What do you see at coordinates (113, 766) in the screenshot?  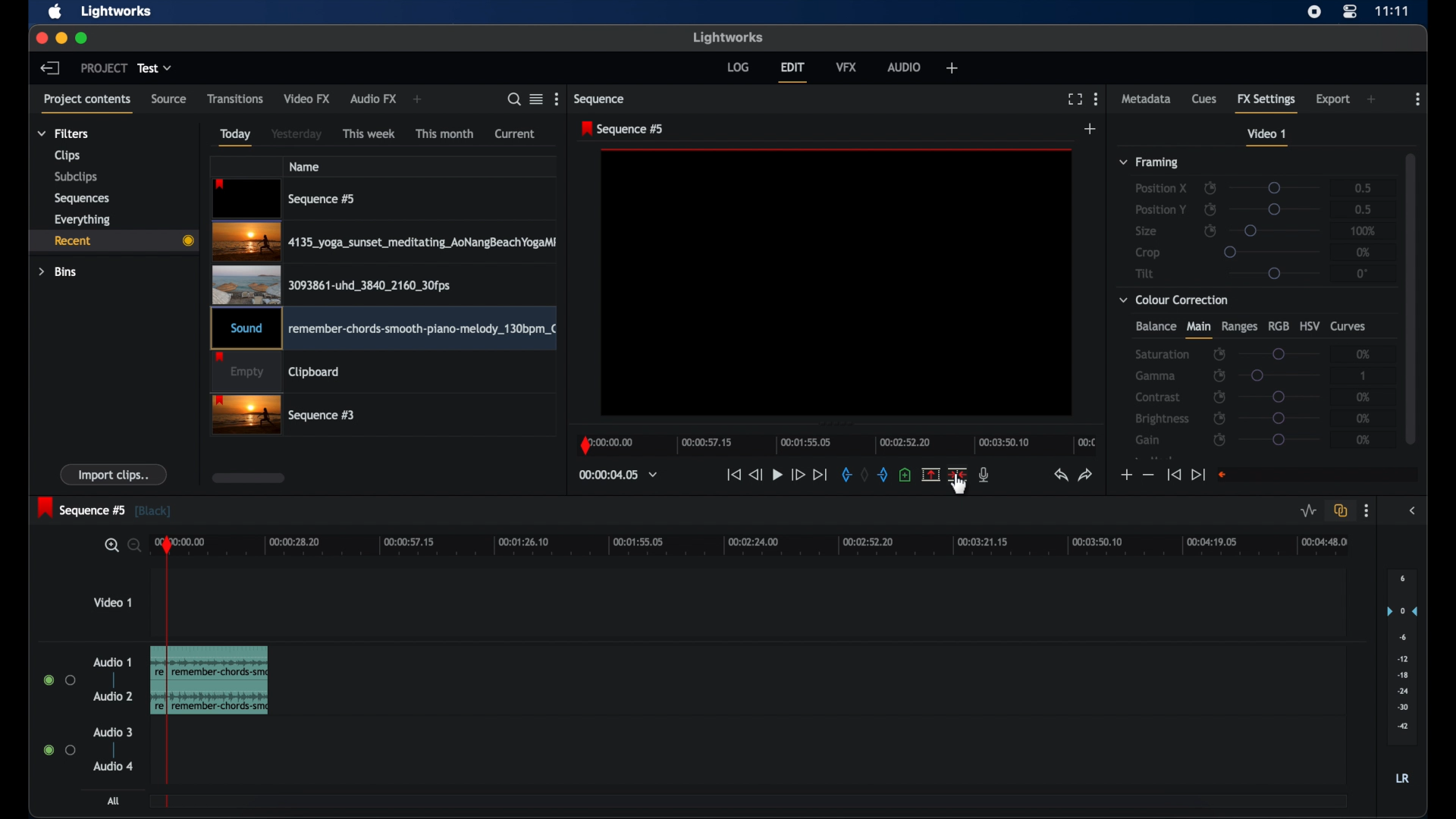 I see `audio` at bounding box center [113, 766].